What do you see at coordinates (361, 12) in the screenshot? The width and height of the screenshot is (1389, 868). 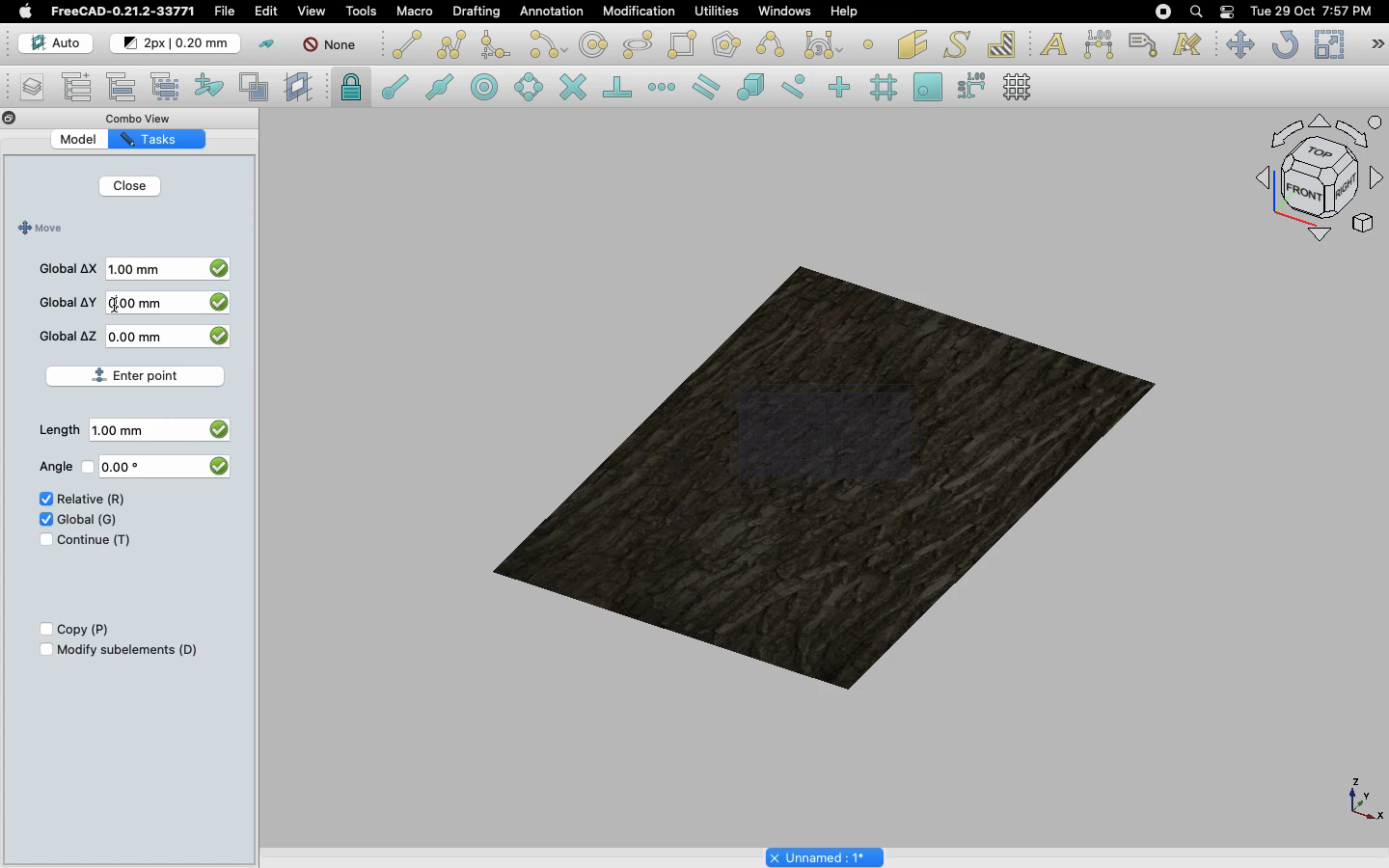 I see `Tools` at bounding box center [361, 12].